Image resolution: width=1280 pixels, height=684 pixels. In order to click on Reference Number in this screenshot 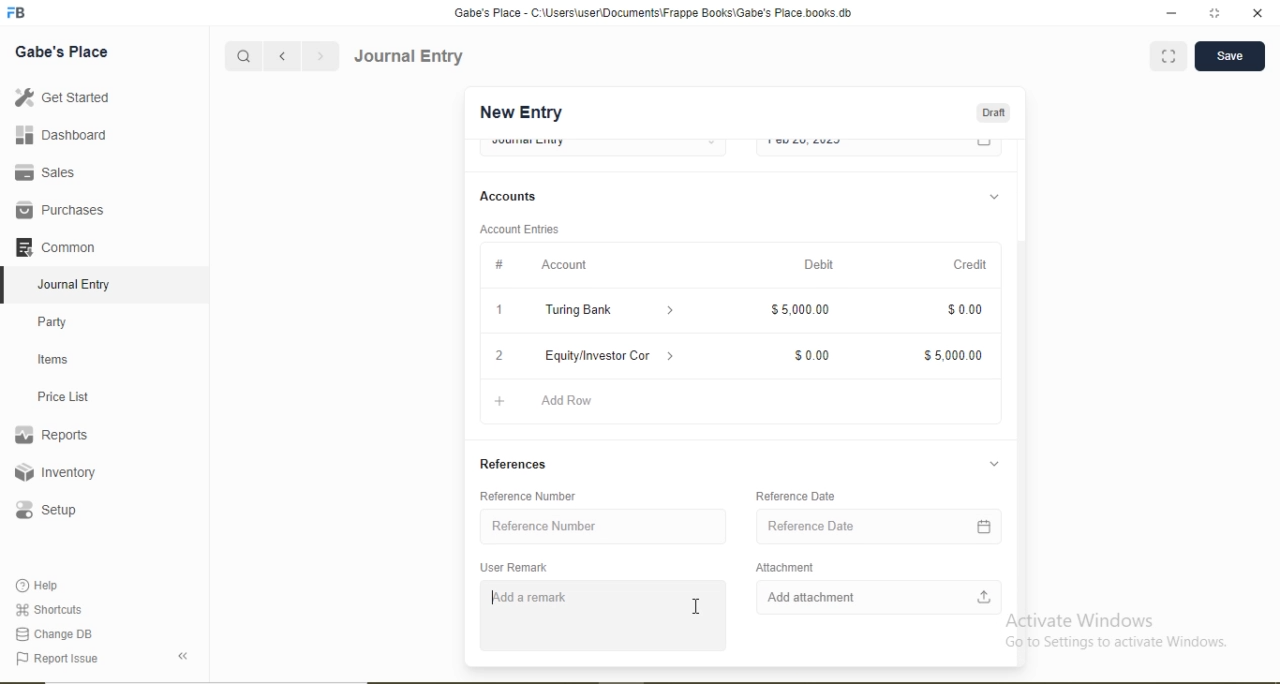, I will do `click(527, 496)`.